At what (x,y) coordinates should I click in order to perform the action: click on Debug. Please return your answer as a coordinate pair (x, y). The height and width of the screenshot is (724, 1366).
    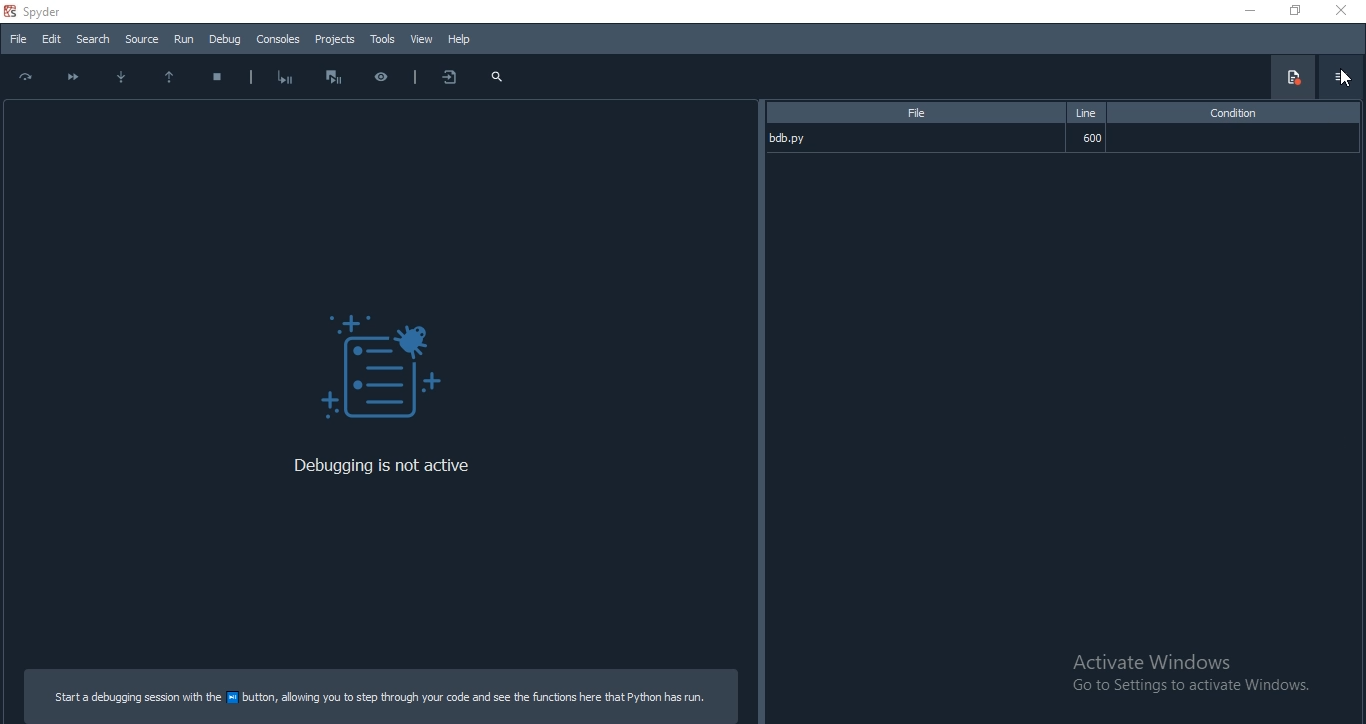
    Looking at the image, I should click on (382, 370).